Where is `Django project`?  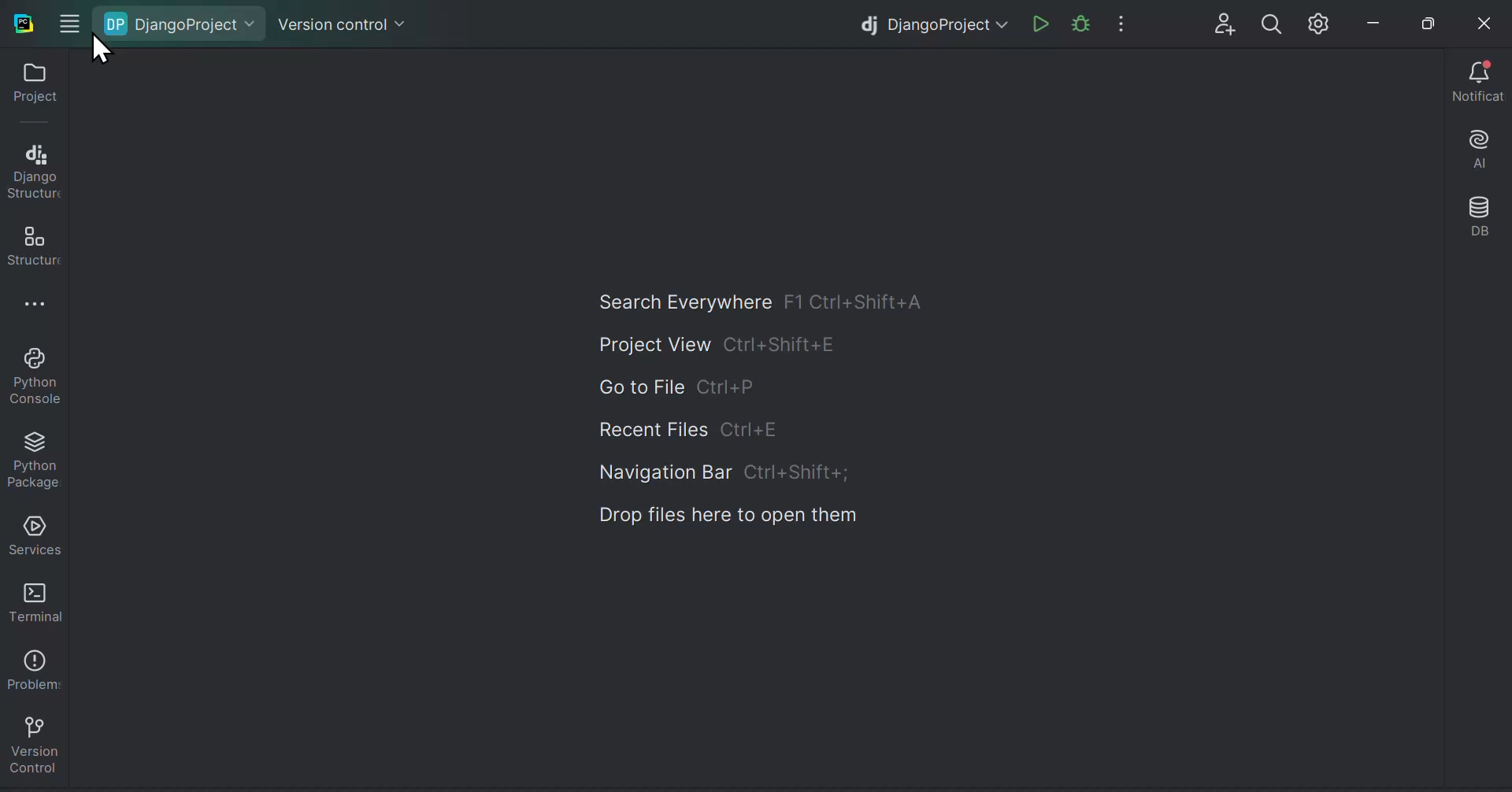
Django project is located at coordinates (932, 21).